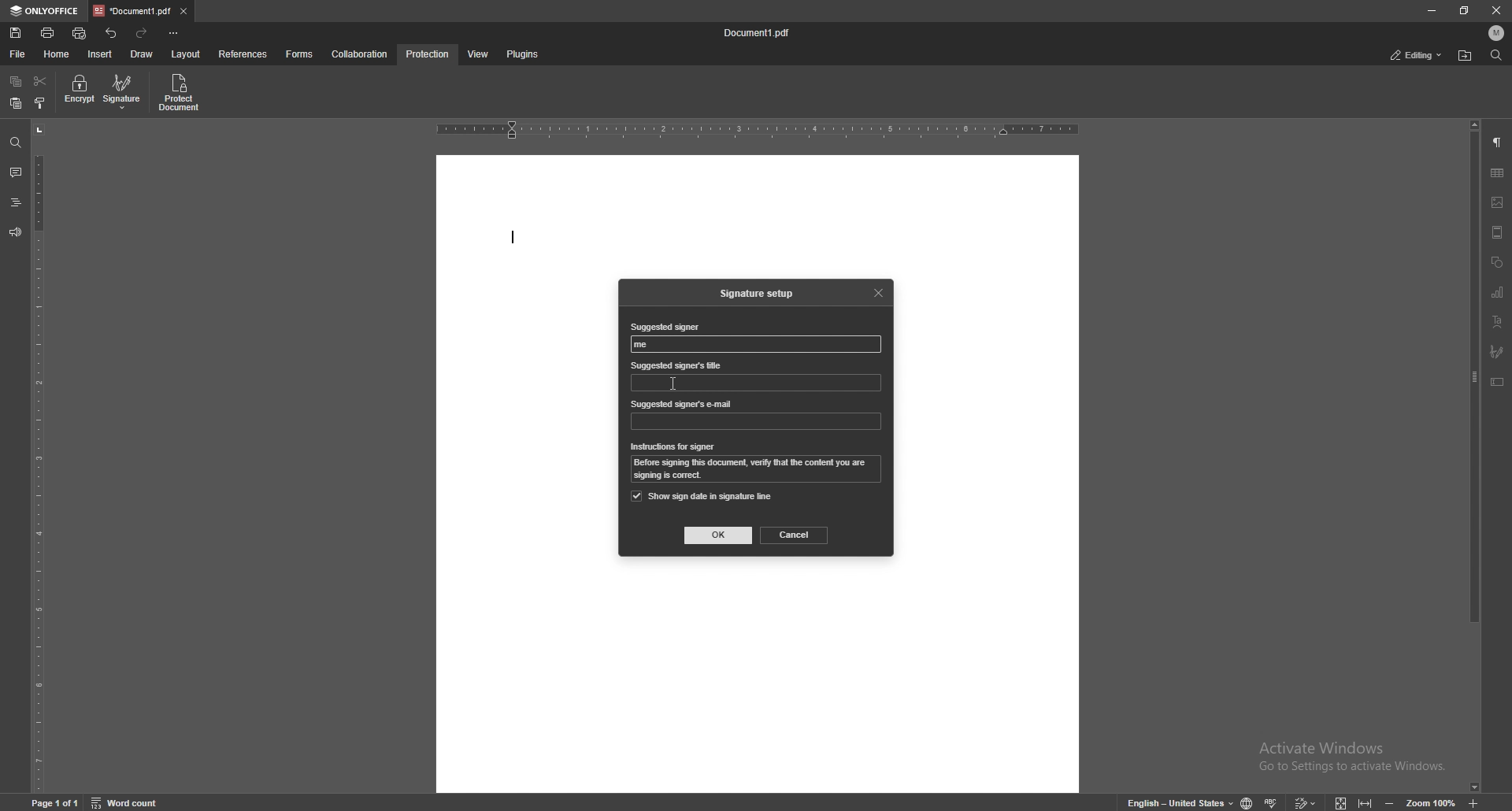 The height and width of the screenshot is (811, 1512). What do you see at coordinates (1336, 801) in the screenshot?
I see `fit to screen` at bounding box center [1336, 801].